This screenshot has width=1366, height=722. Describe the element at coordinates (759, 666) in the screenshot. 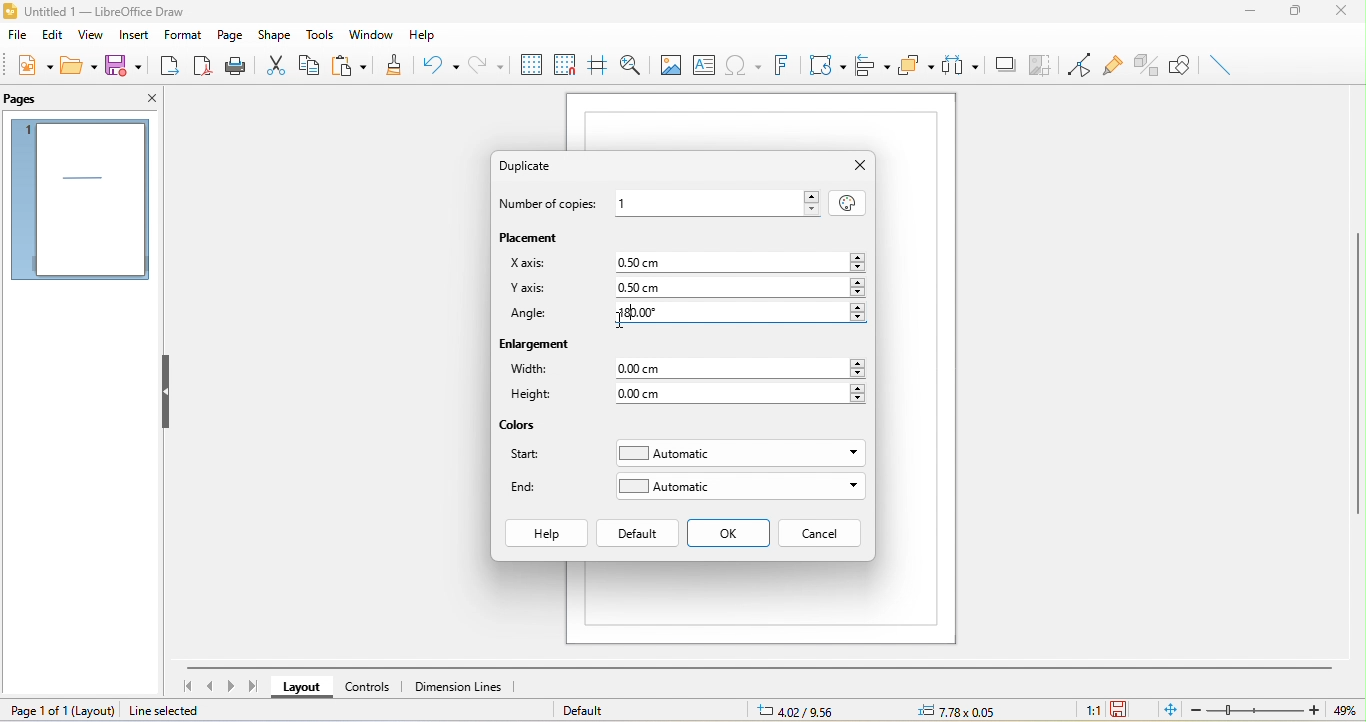

I see `horizontal scroll bar` at that location.